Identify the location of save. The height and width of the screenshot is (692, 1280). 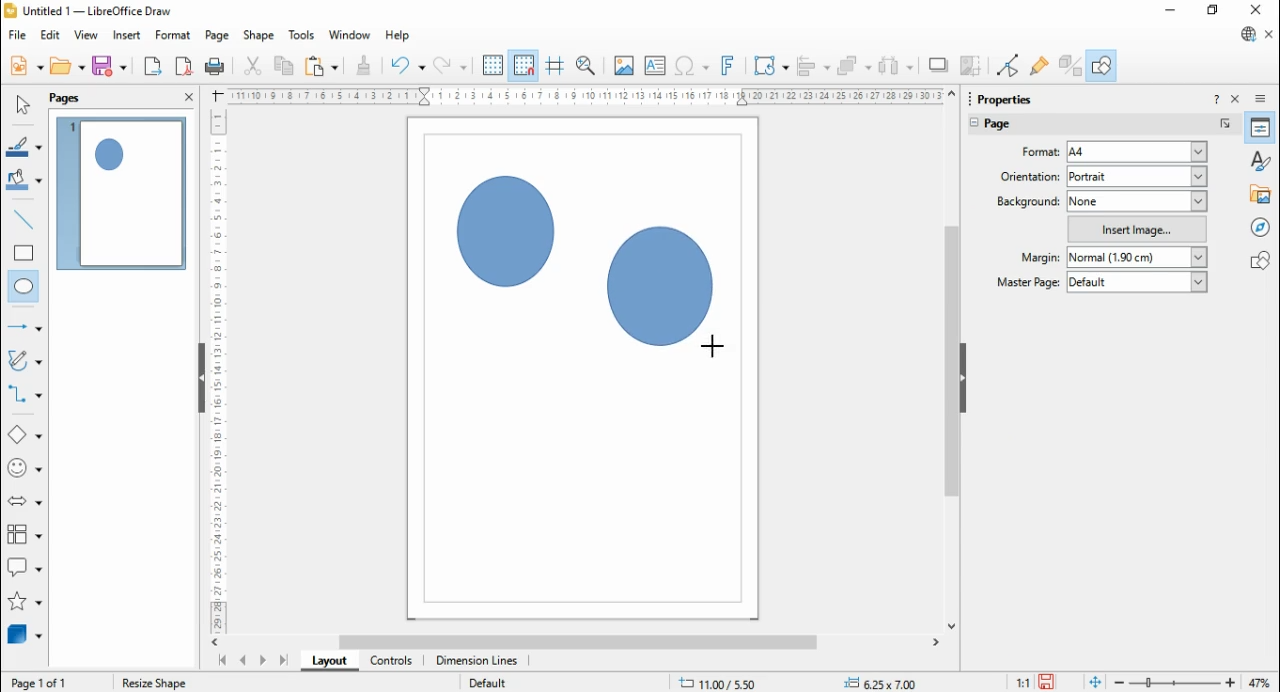
(1049, 682).